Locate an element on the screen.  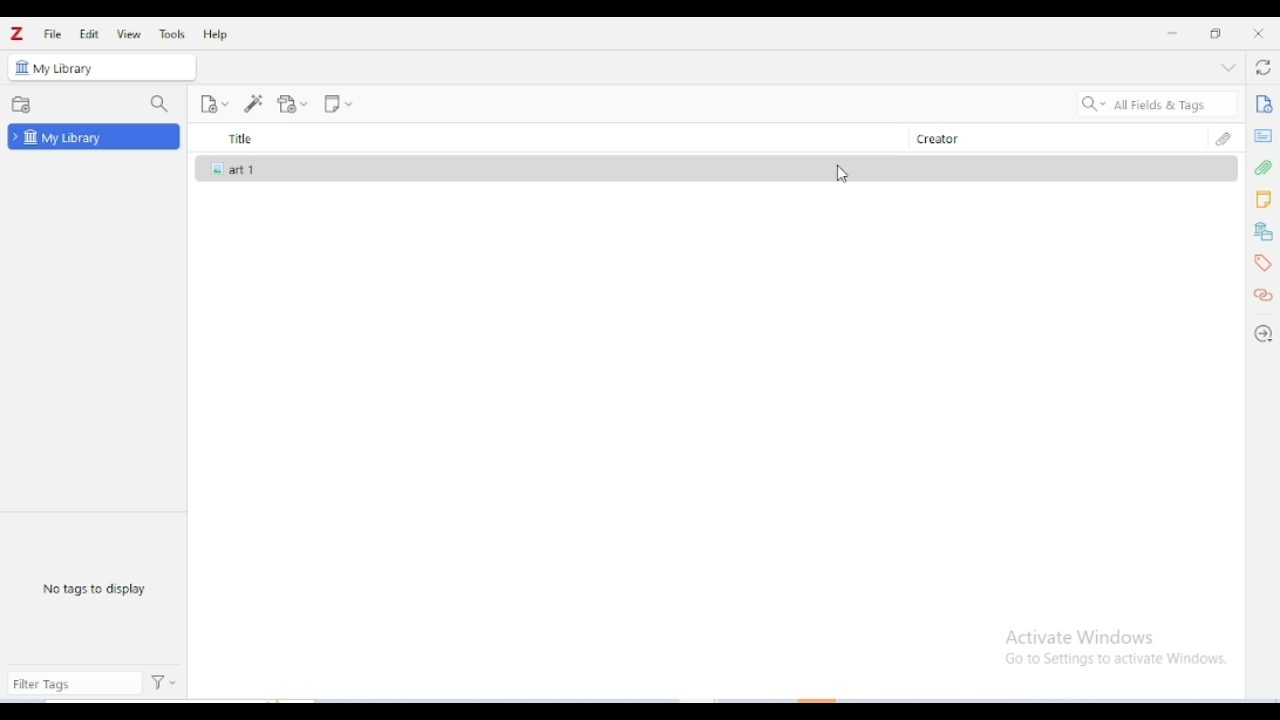
filter collections is located at coordinates (160, 105).